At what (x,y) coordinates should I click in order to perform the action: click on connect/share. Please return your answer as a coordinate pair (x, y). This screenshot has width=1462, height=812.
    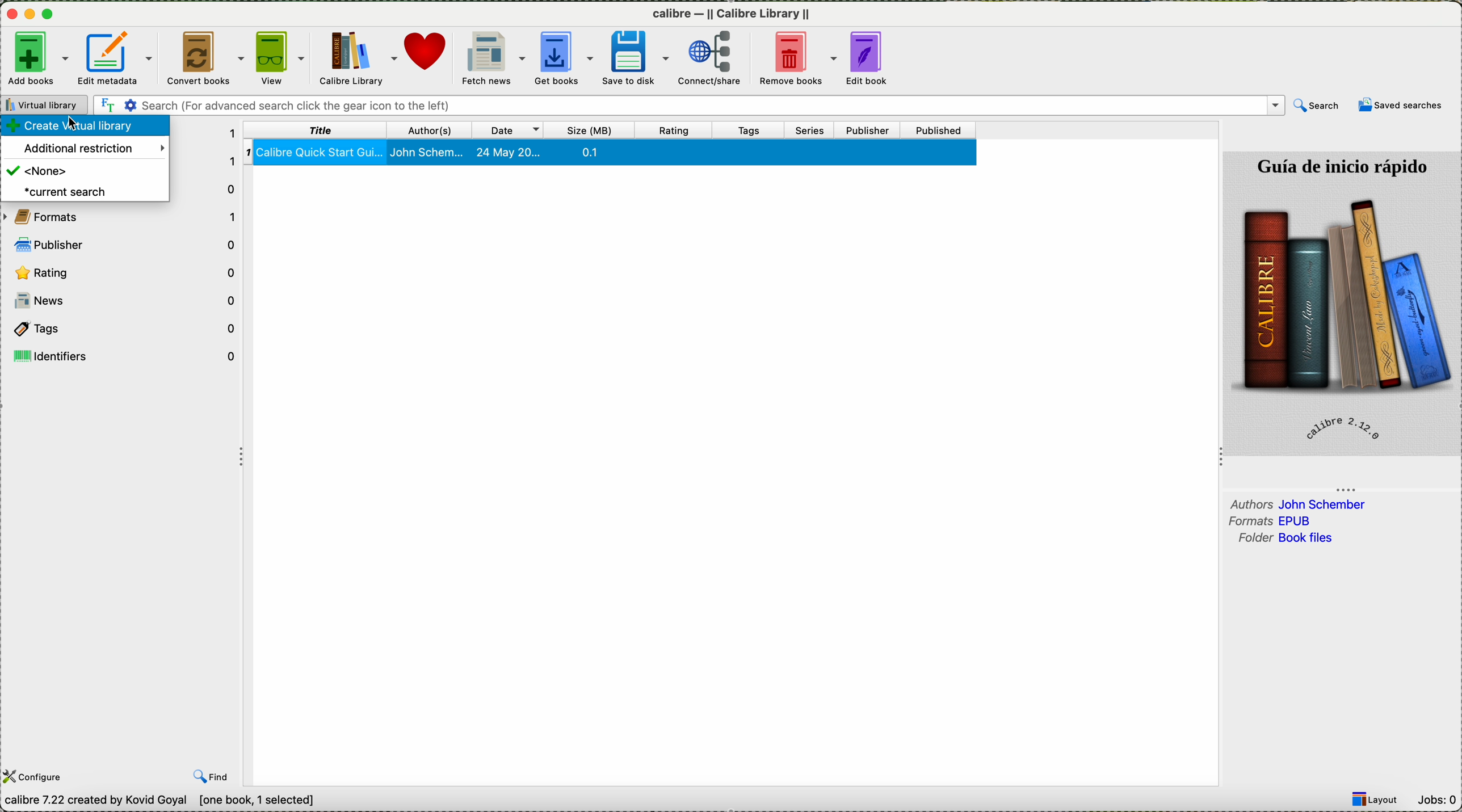
    Looking at the image, I should click on (717, 58).